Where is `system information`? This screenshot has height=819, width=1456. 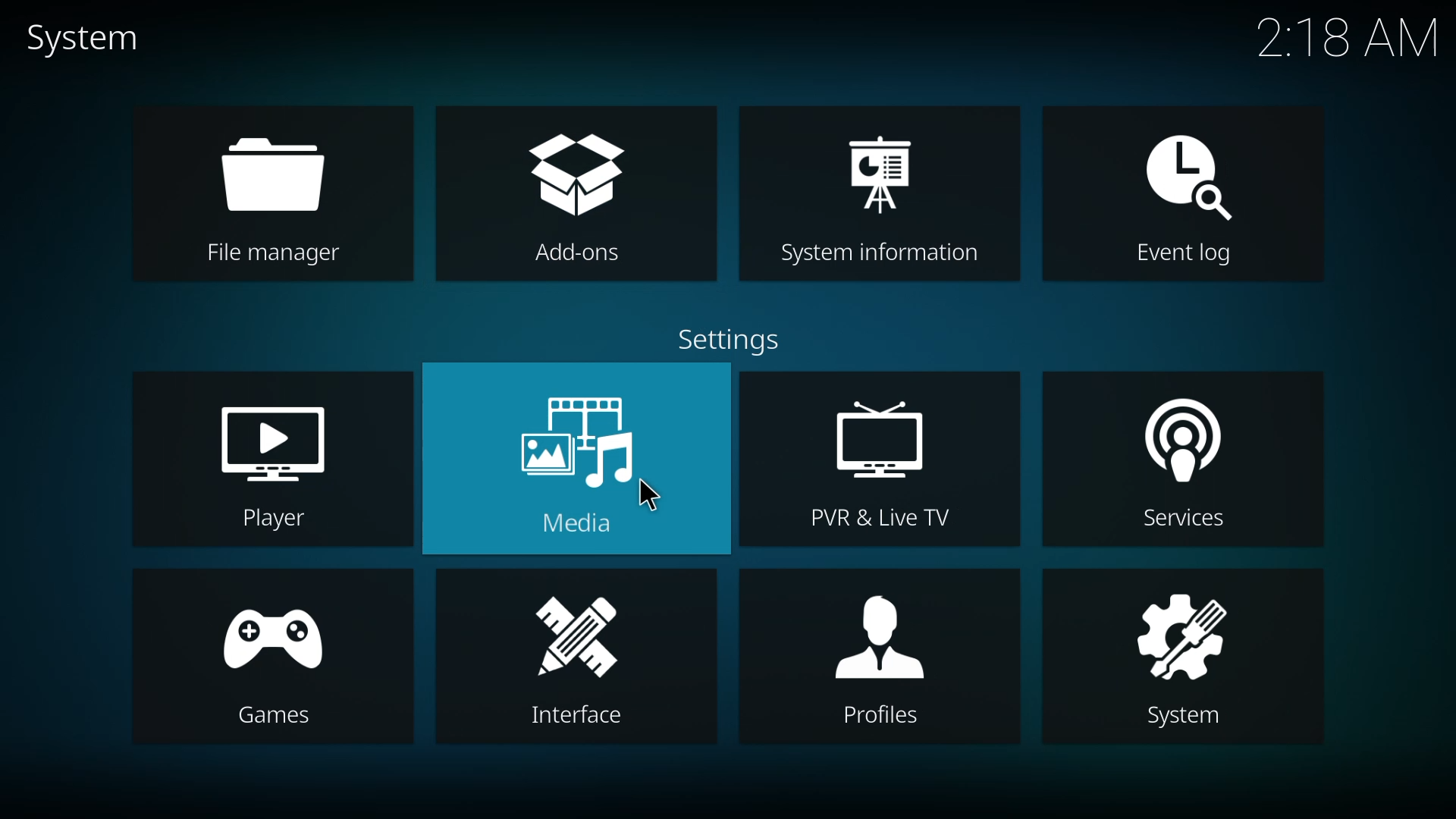
system information is located at coordinates (884, 194).